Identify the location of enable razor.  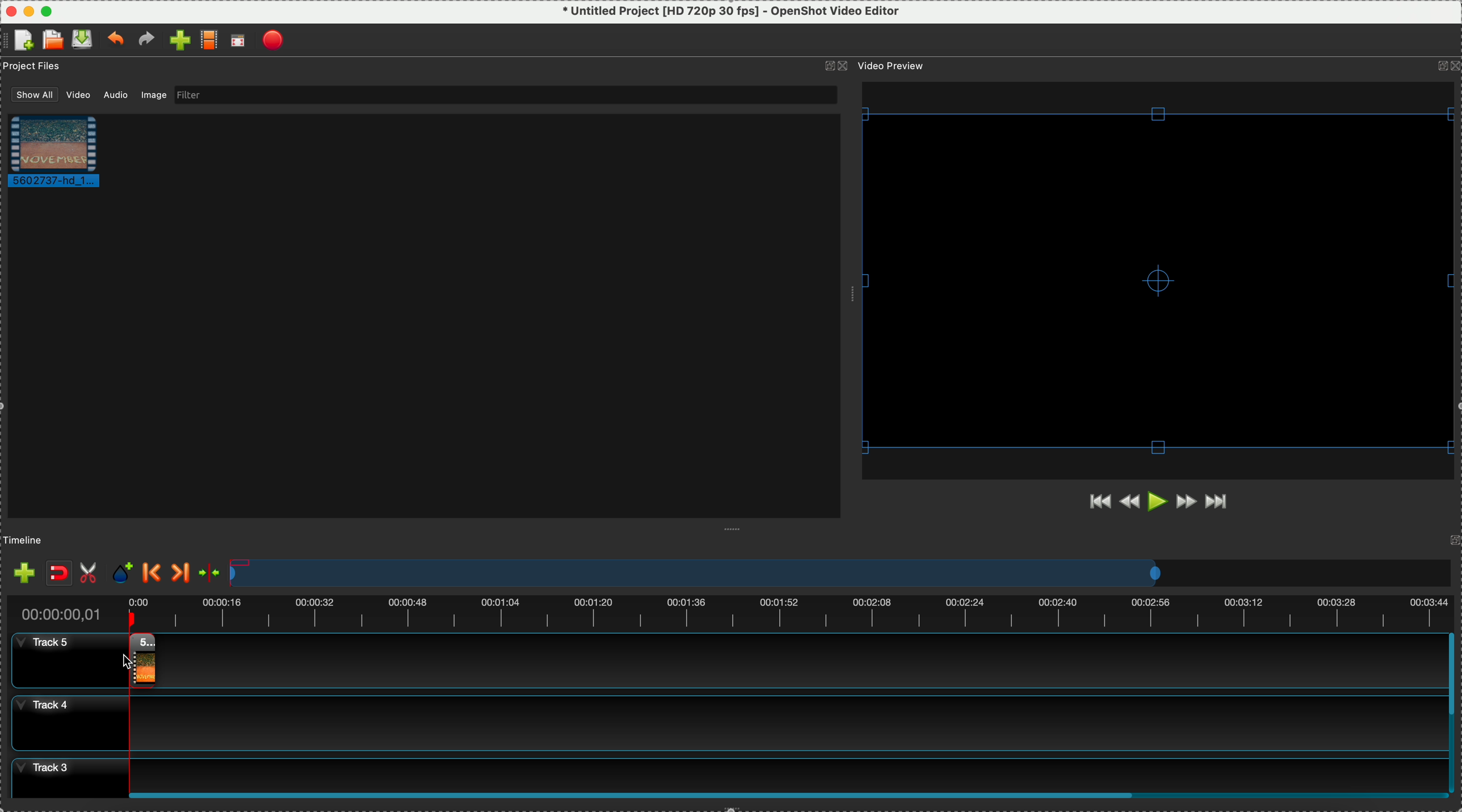
(91, 571).